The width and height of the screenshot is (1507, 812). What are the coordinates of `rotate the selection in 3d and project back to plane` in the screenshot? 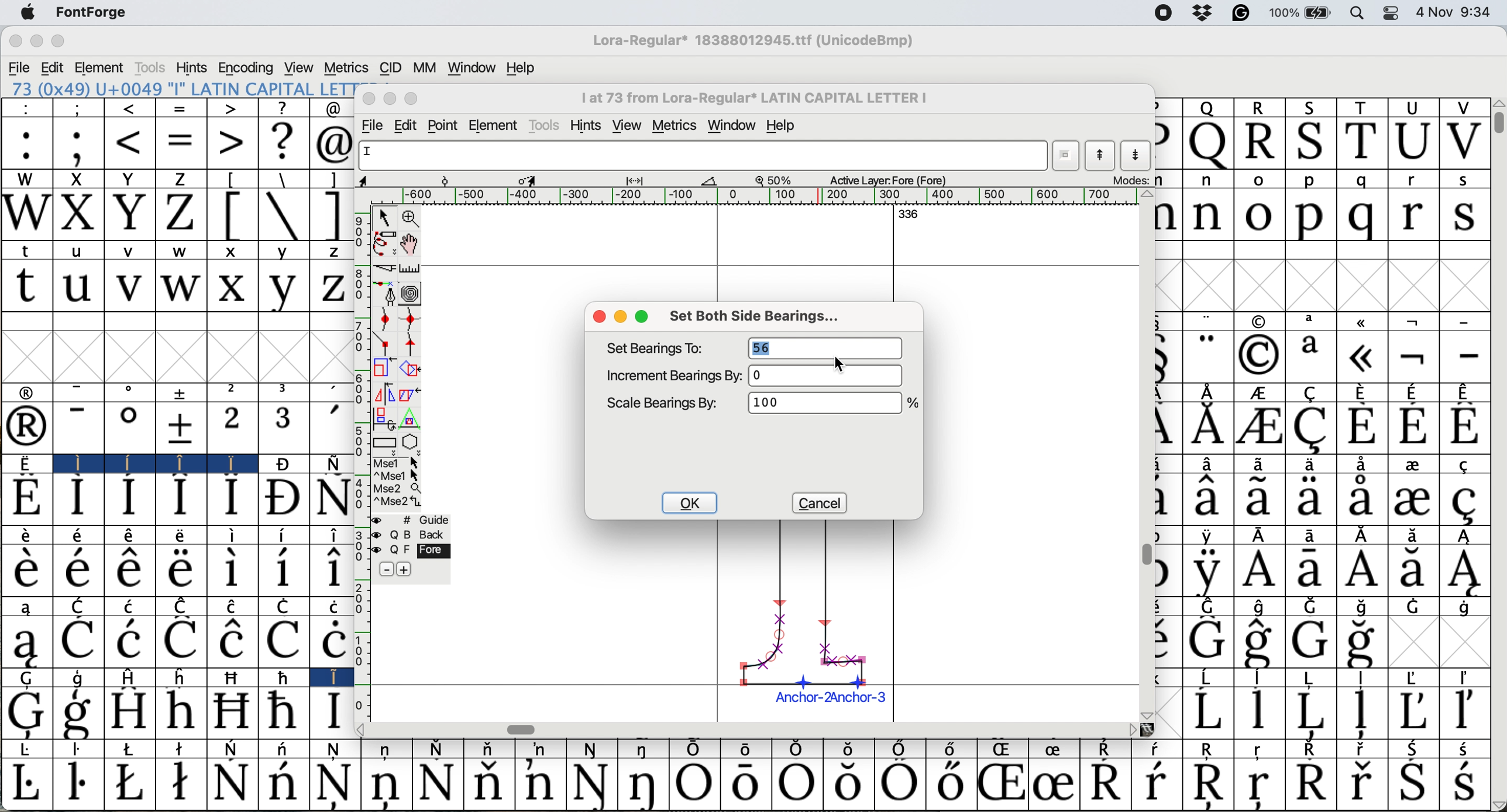 It's located at (384, 417).